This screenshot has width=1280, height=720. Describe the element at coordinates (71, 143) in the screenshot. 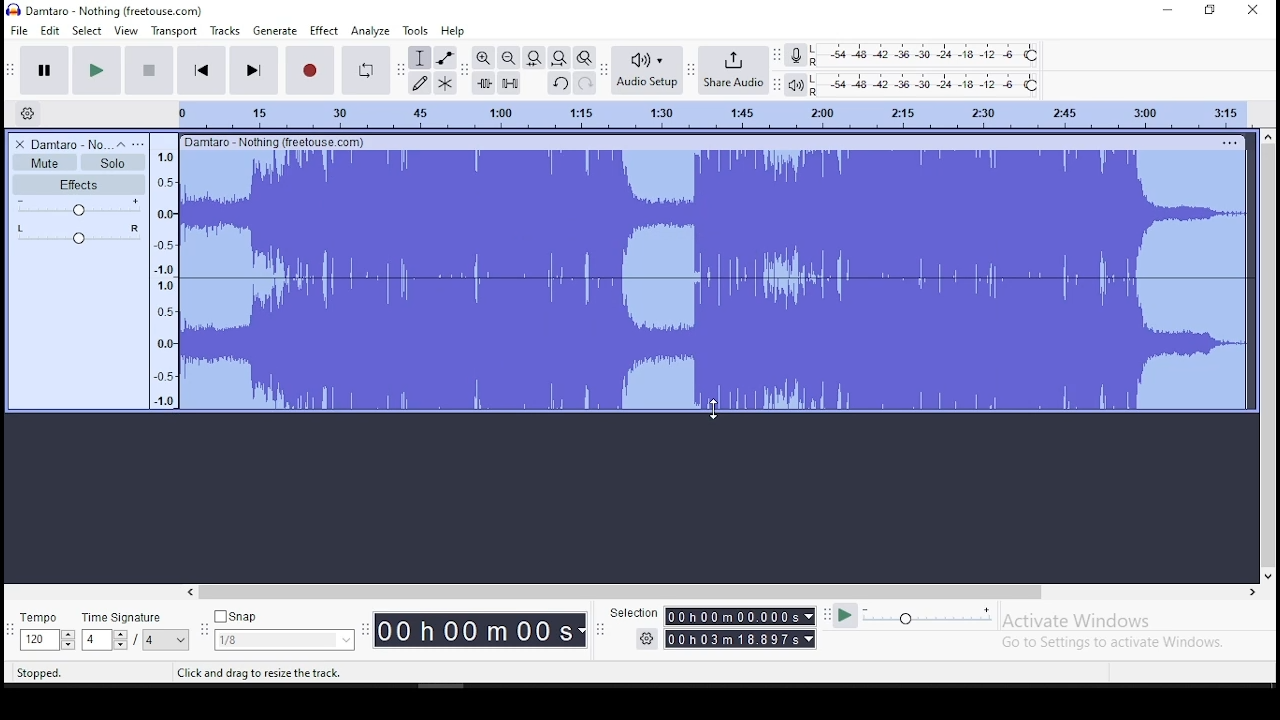

I see `Damtaro - No` at that location.